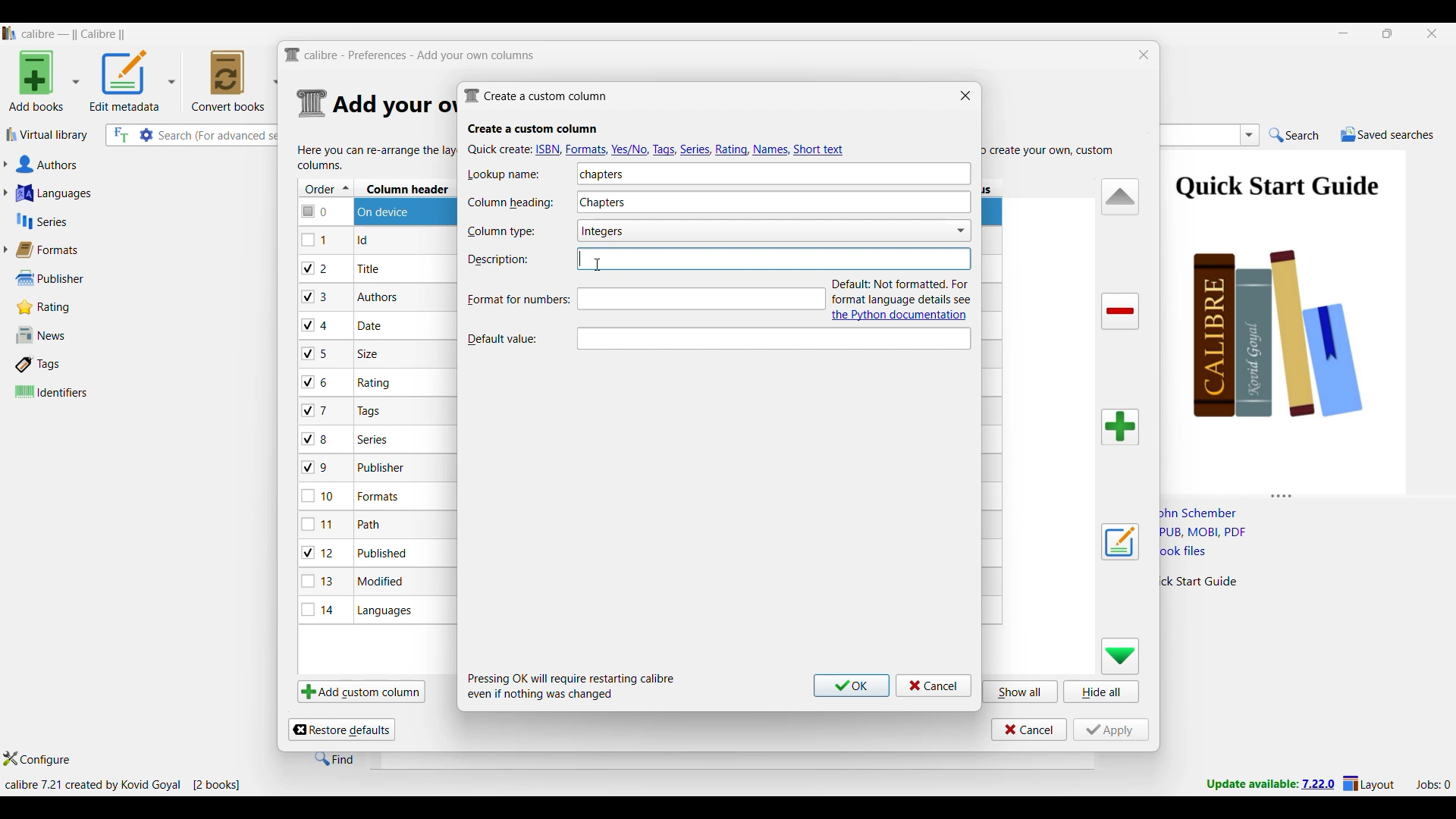 This screenshot has height=819, width=1456. Describe the element at coordinates (1294, 136) in the screenshot. I see `Search` at that location.